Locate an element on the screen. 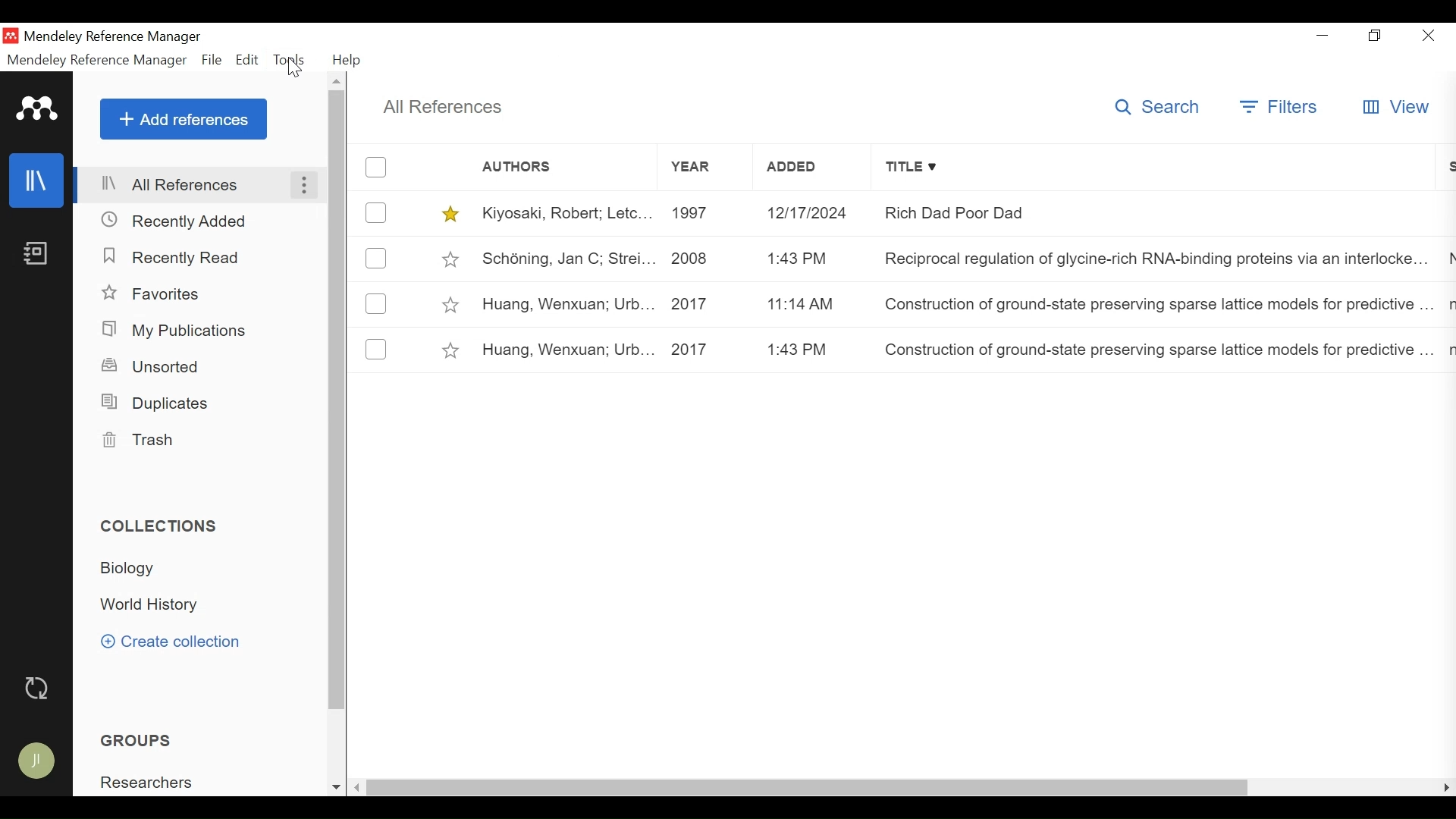  Avatar is located at coordinates (39, 758).